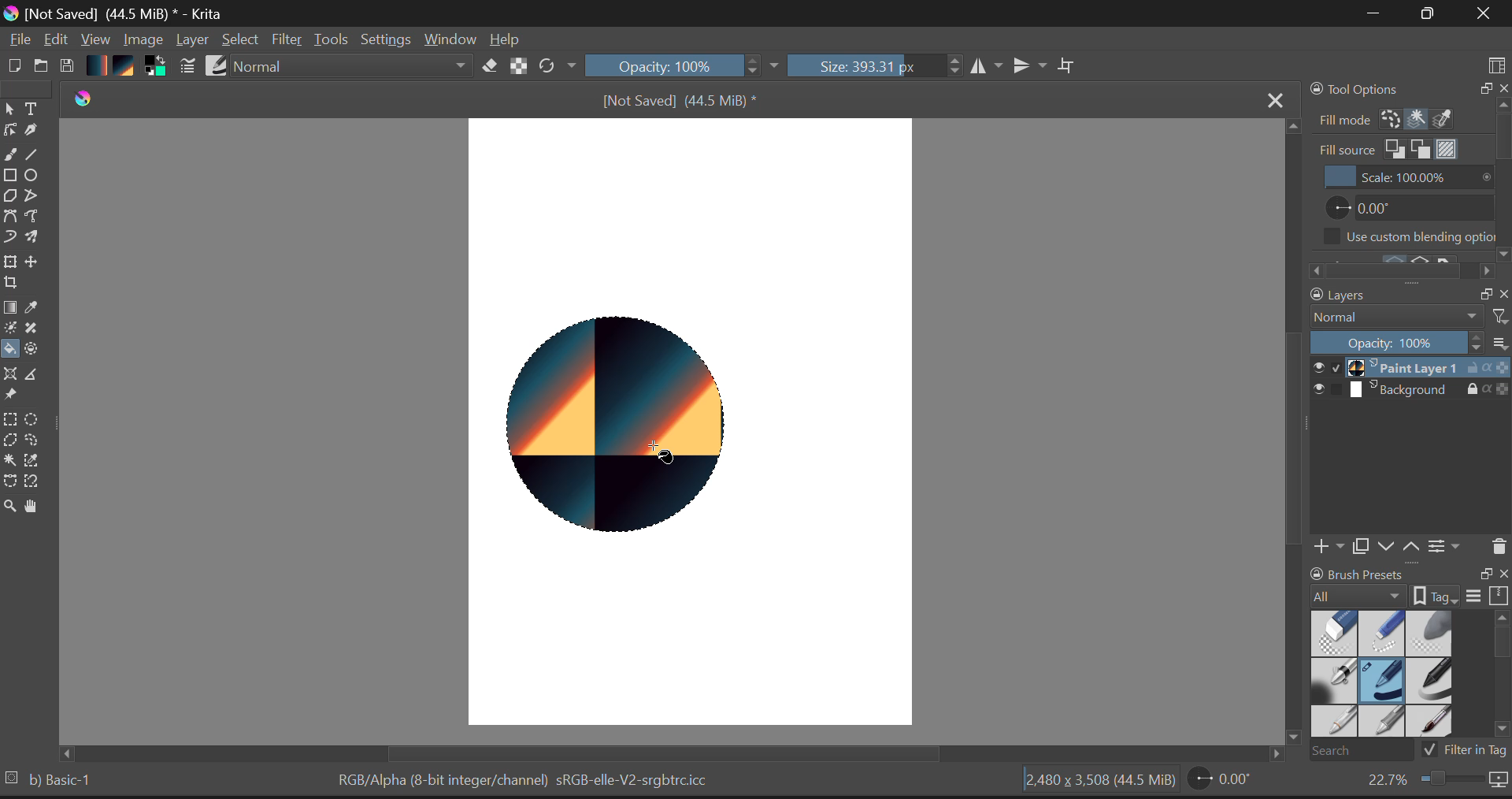 The image size is (1512, 799). Describe the element at coordinates (1435, 783) in the screenshot. I see `Zoom` at that location.